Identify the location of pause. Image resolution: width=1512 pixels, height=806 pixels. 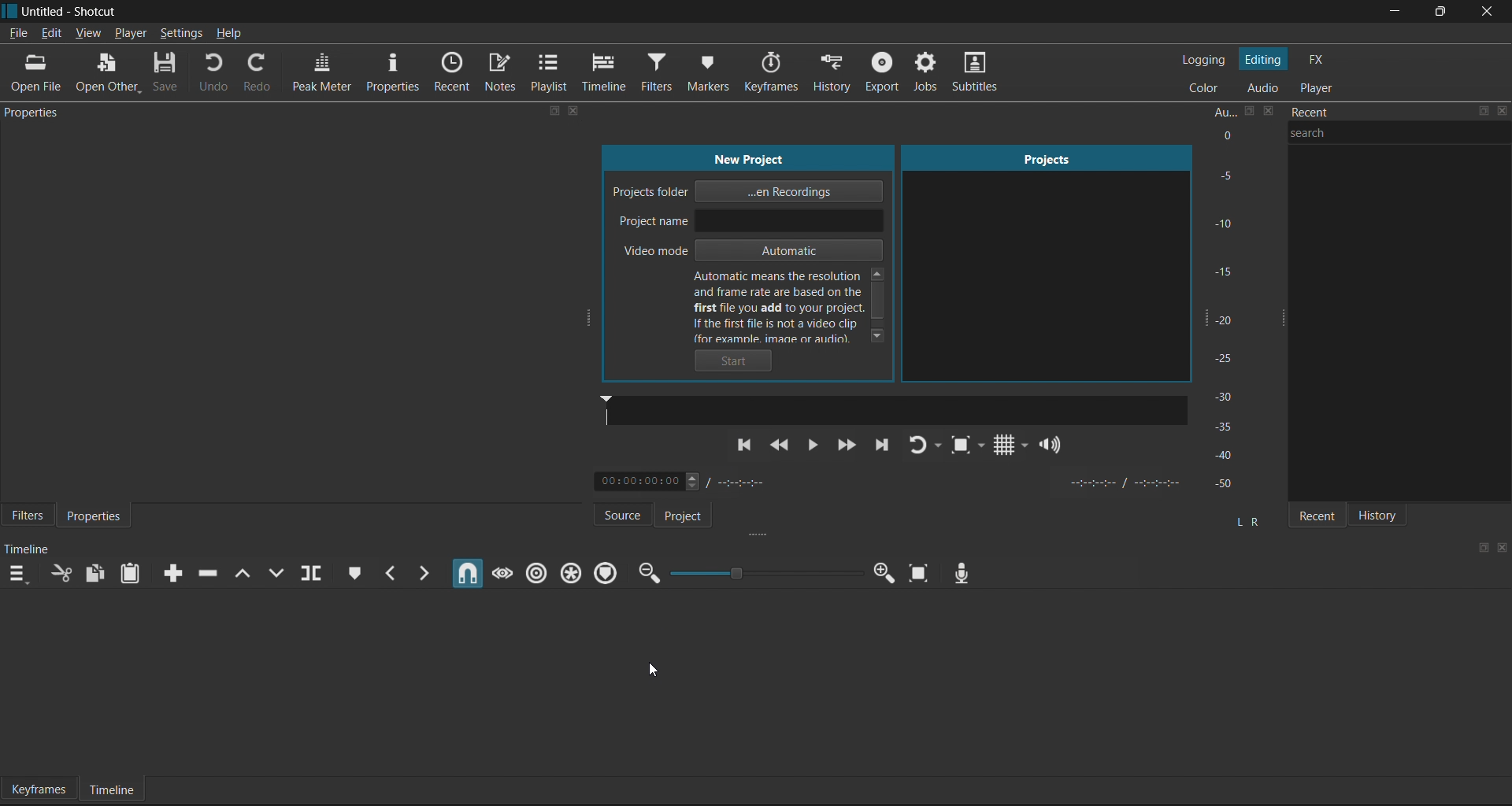
(813, 445).